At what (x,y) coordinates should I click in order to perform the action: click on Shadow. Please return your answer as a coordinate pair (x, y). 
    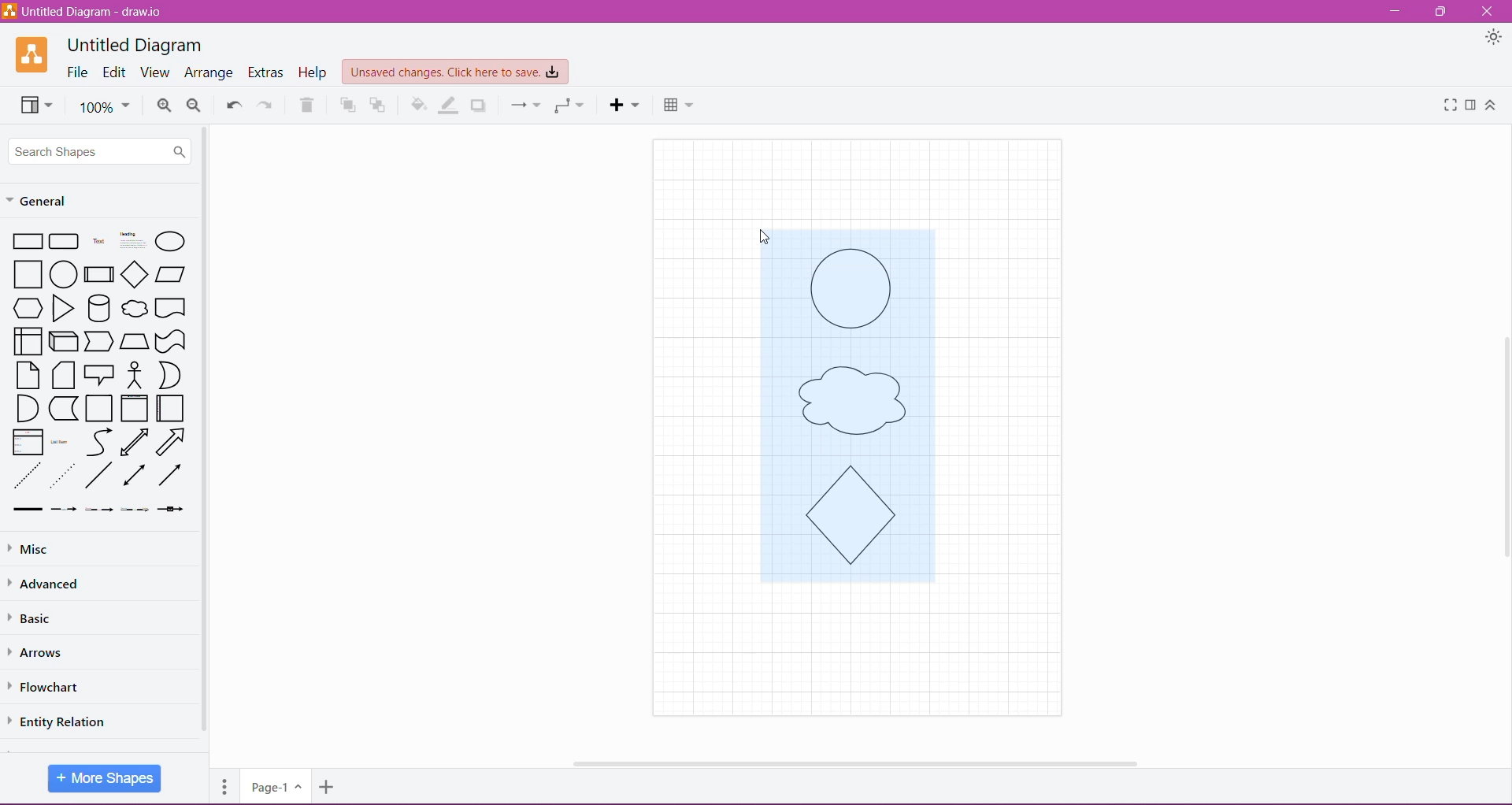
    Looking at the image, I should click on (480, 105).